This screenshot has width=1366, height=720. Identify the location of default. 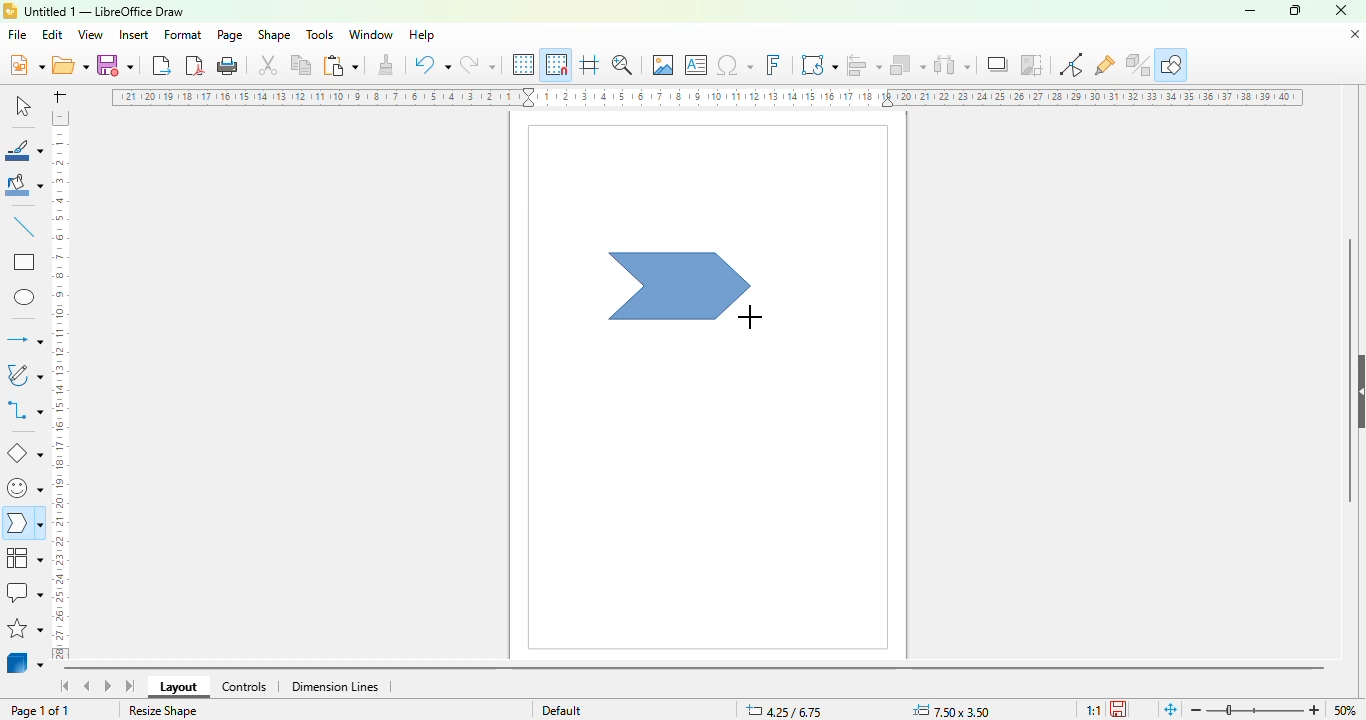
(562, 710).